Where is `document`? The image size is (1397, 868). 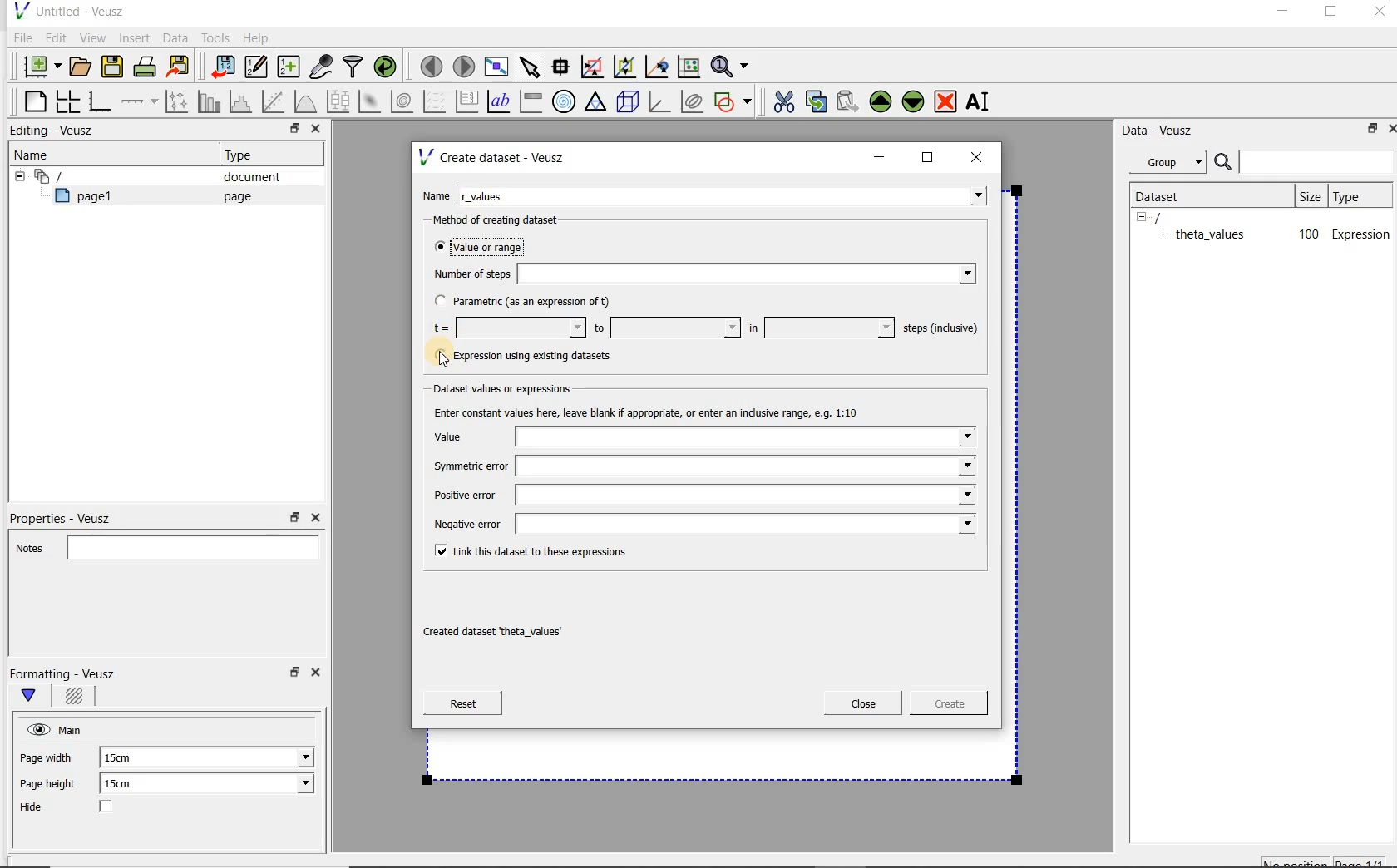 document is located at coordinates (245, 177).